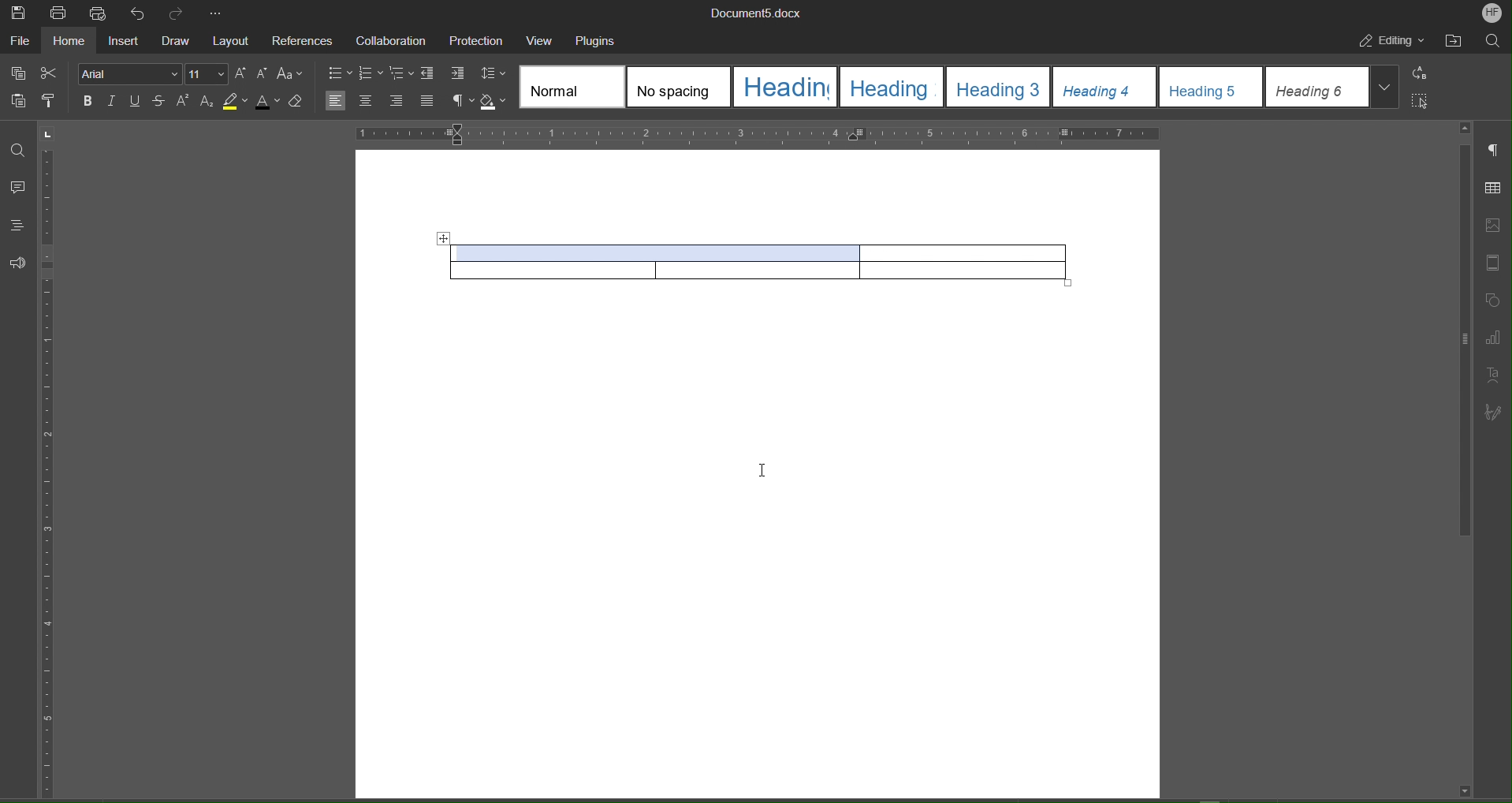  I want to click on scroll down, so click(1464, 790).